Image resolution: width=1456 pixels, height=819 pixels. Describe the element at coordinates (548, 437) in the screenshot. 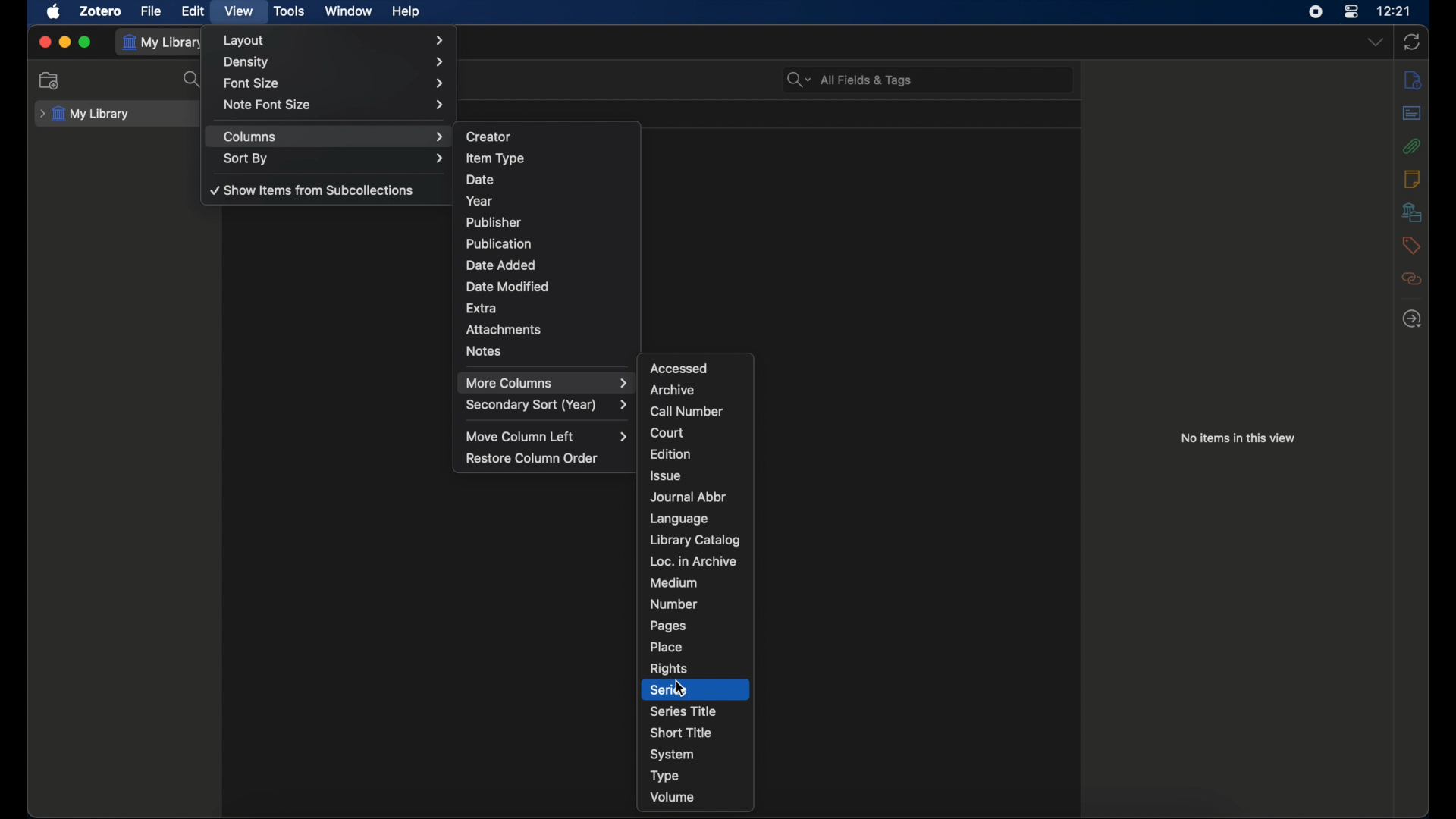

I see `move column left` at that location.